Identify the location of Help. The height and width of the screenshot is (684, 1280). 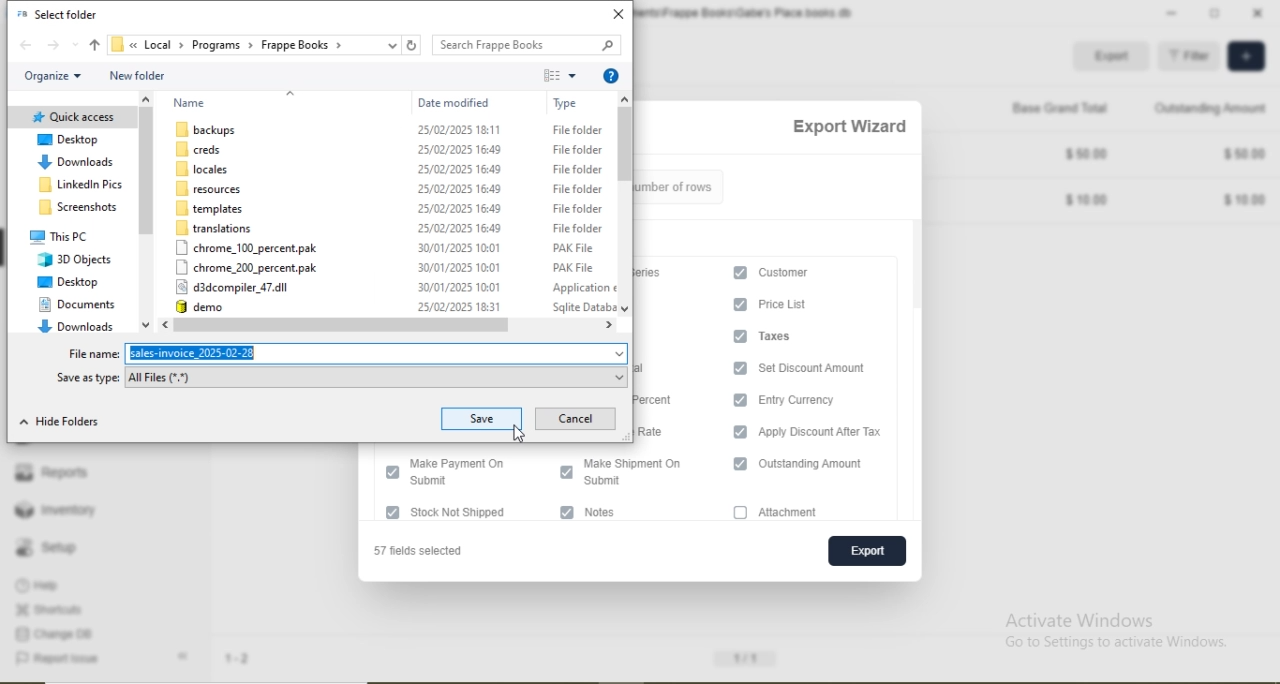
(50, 584).